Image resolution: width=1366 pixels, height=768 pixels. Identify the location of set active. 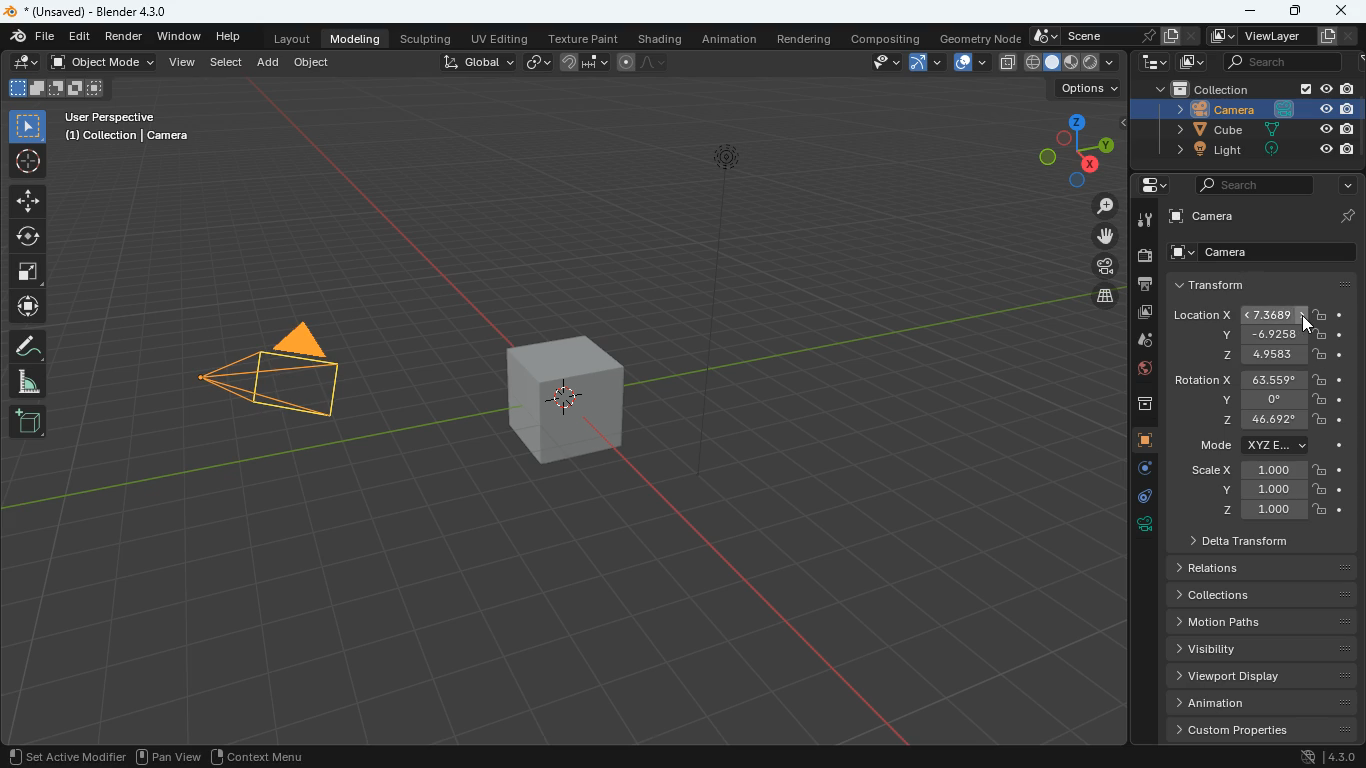
(67, 756).